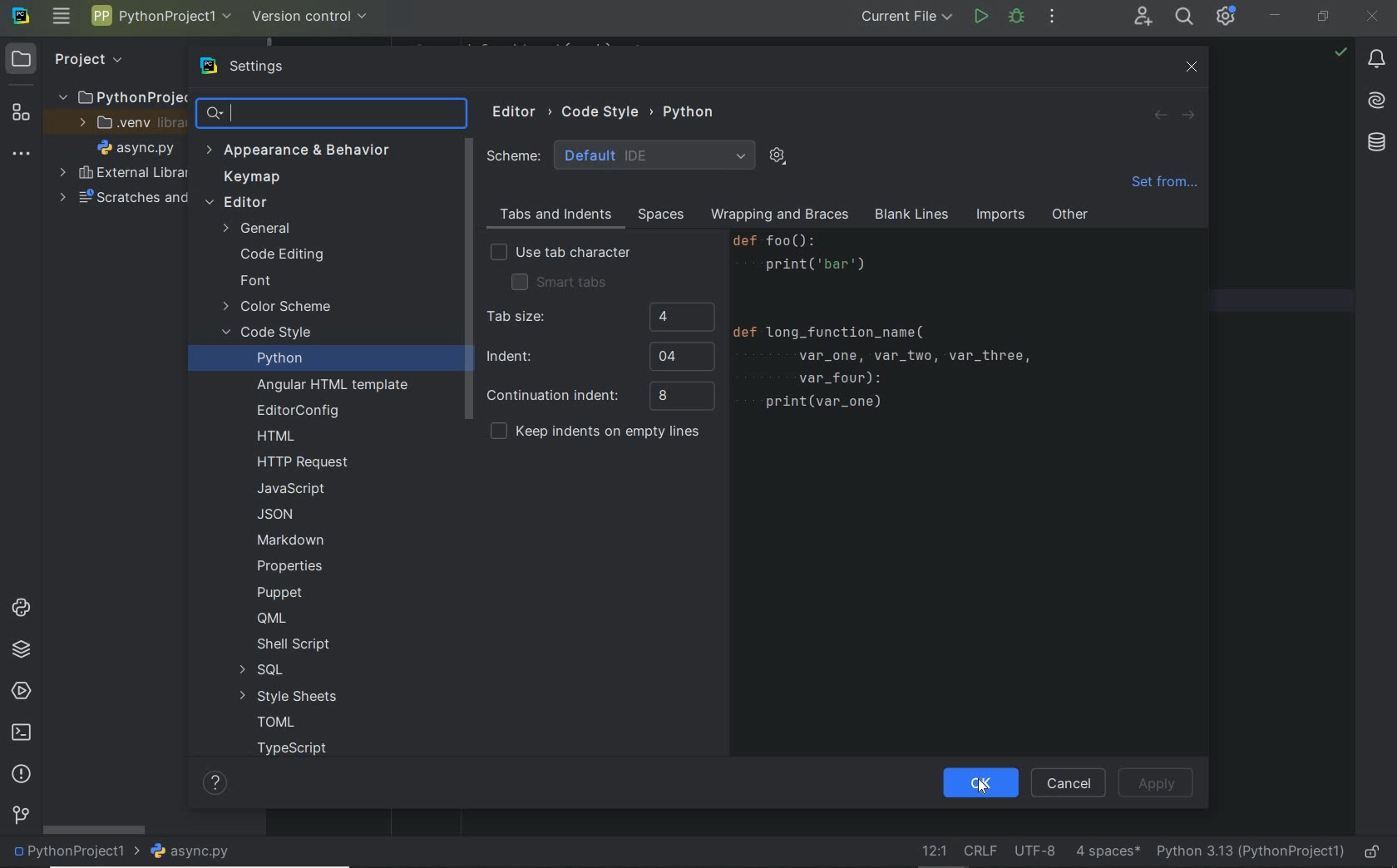 Image resolution: width=1397 pixels, height=868 pixels. What do you see at coordinates (333, 113) in the screenshot?
I see `search settings` at bounding box center [333, 113].